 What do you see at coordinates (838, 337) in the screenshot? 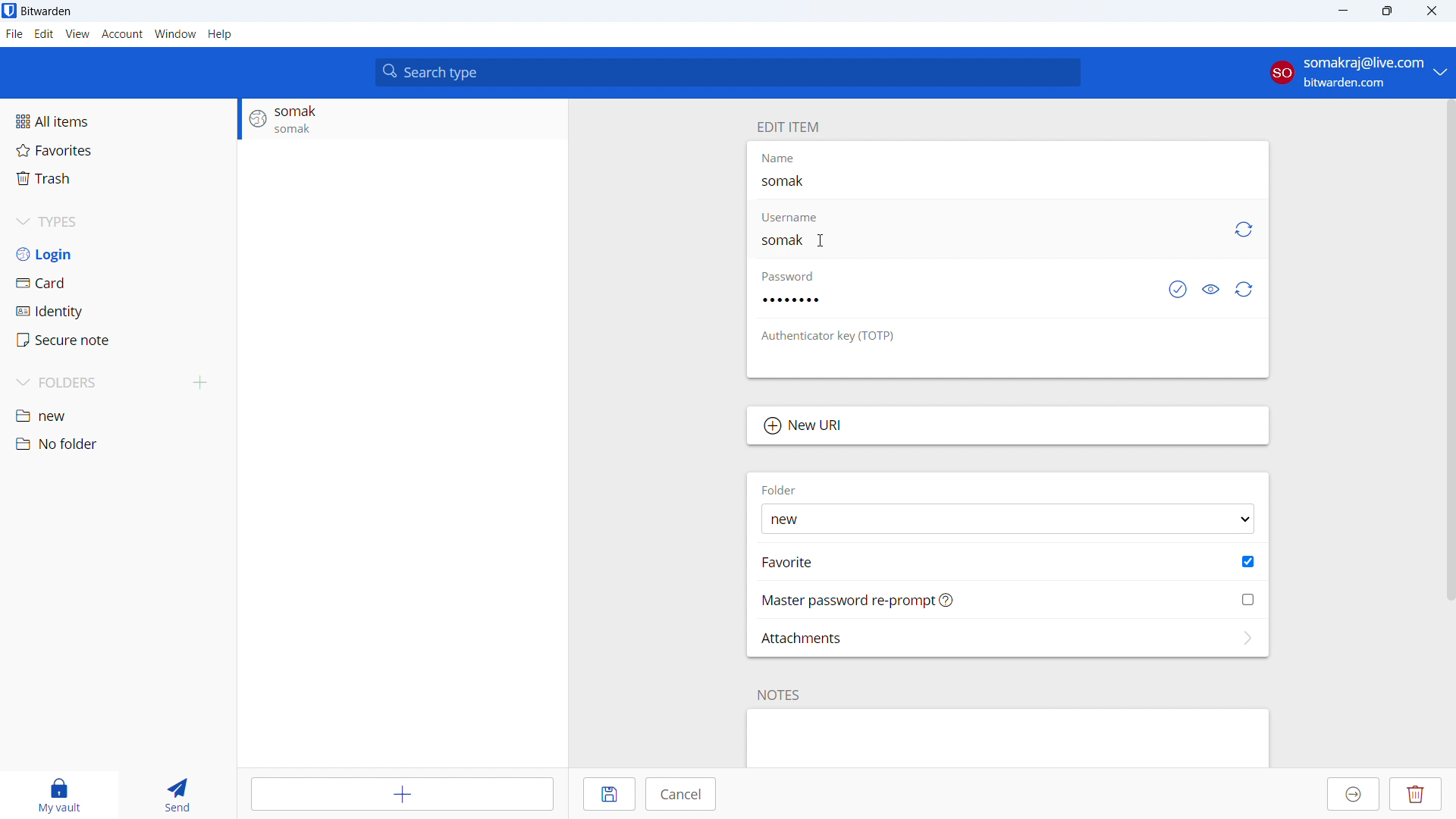
I see `OTP` at bounding box center [838, 337].